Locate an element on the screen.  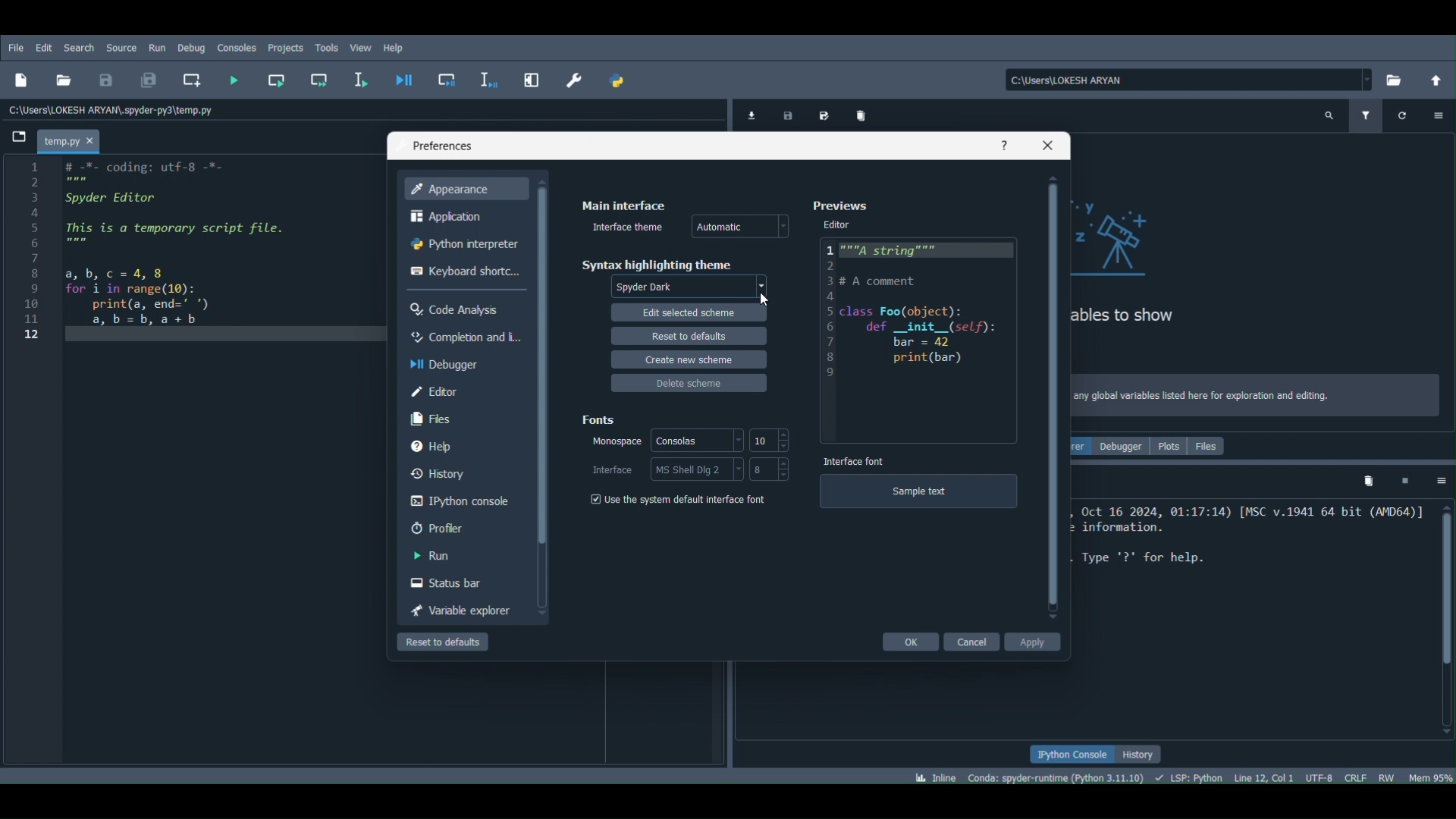
Appearance is located at coordinates (469, 187).